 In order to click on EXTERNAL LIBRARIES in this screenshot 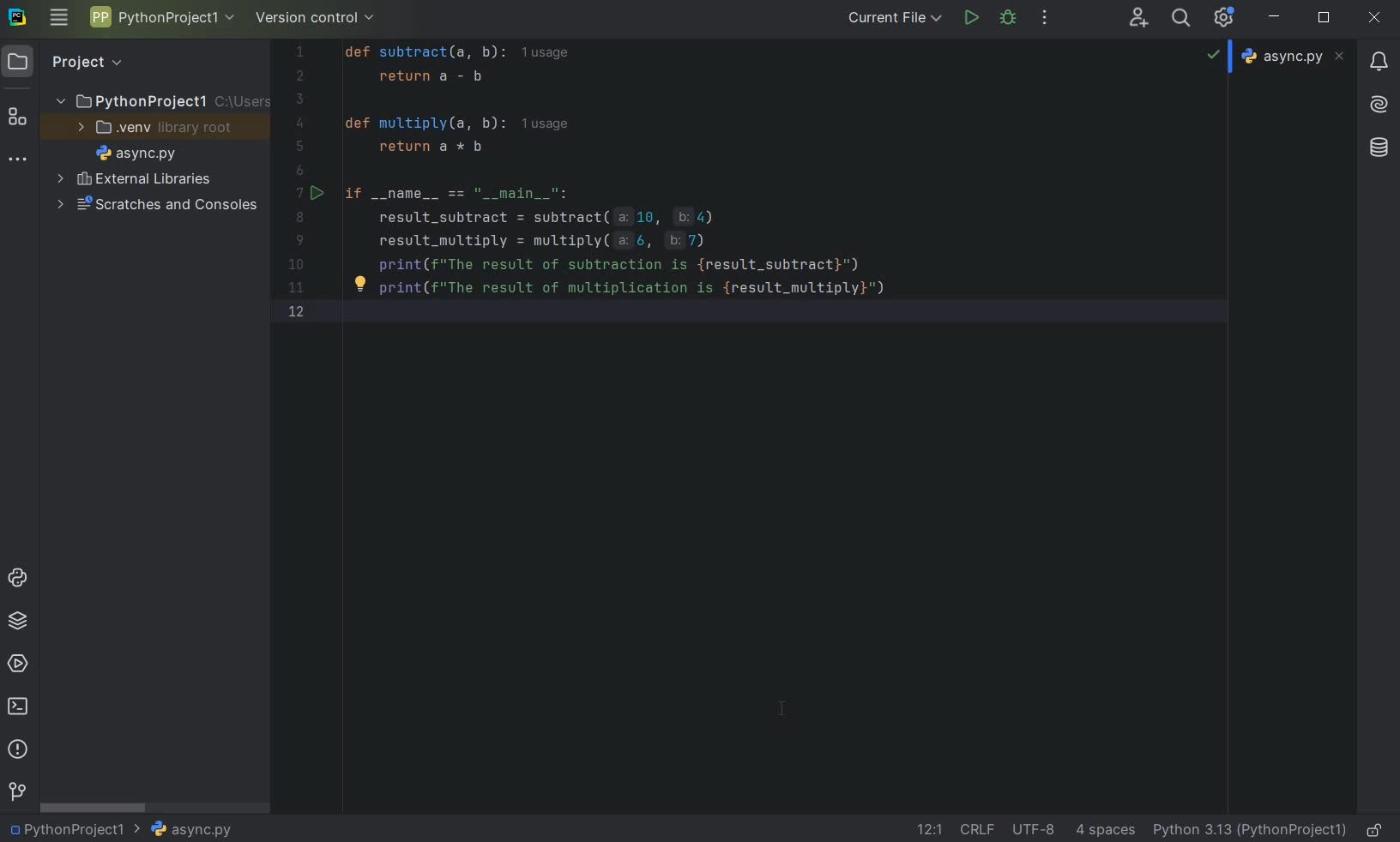, I will do `click(135, 180)`.